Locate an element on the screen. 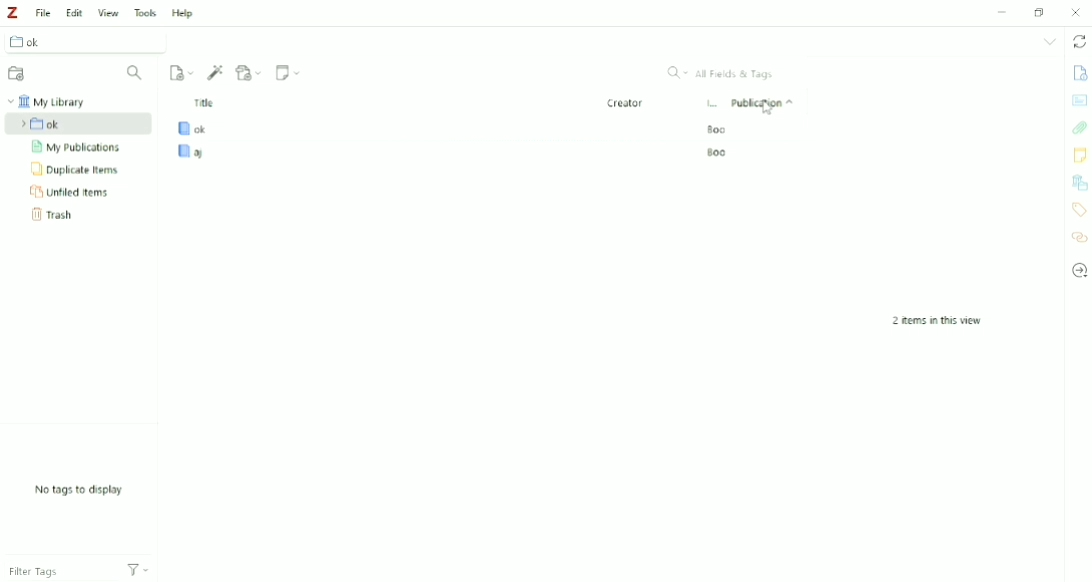 The image size is (1092, 582). Tags is located at coordinates (1080, 210).